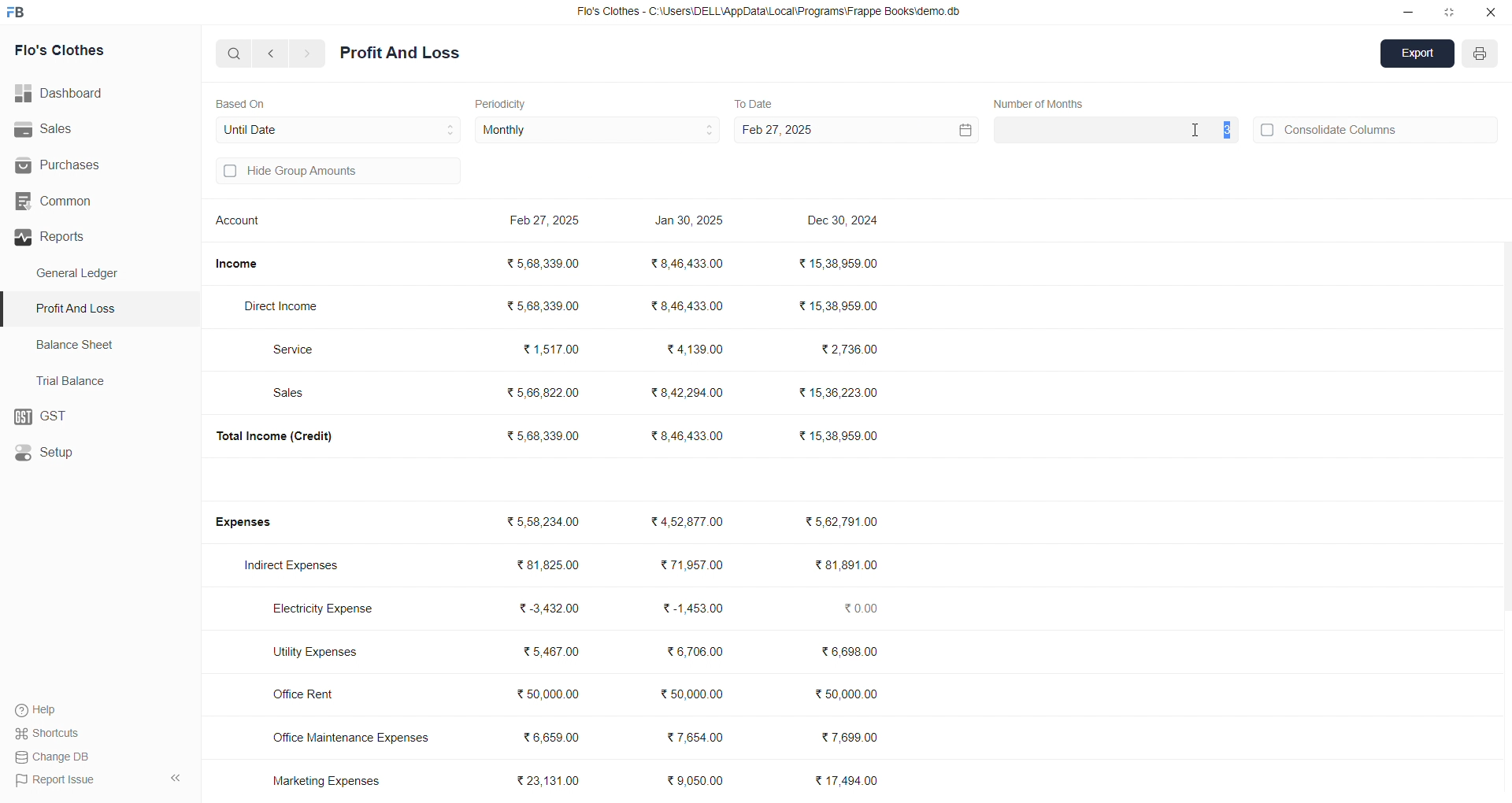 The image size is (1512, 803). What do you see at coordinates (94, 237) in the screenshot?
I see `Reports` at bounding box center [94, 237].